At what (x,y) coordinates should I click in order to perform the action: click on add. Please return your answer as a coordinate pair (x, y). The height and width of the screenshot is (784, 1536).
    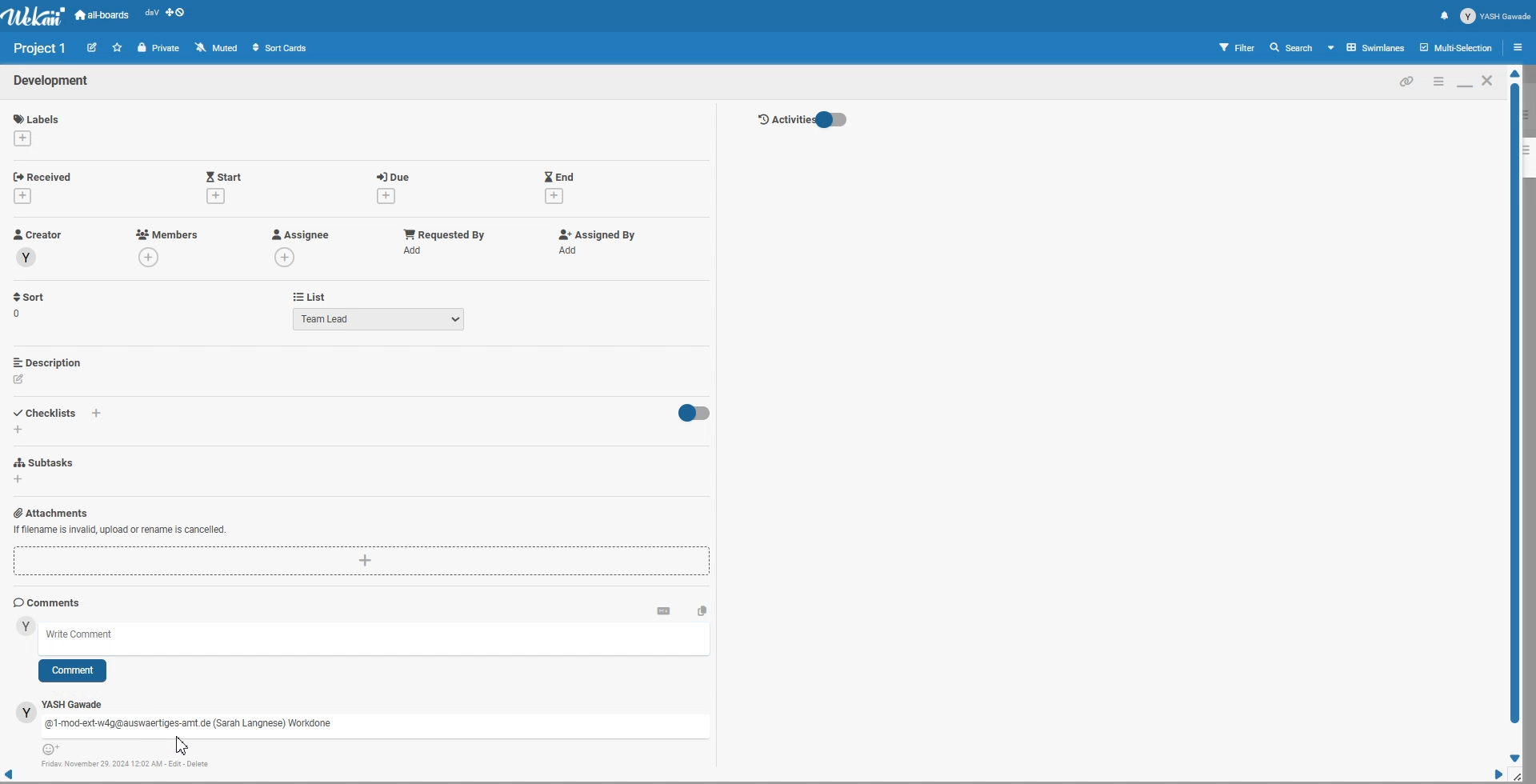
    Looking at the image, I should click on (151, 258).